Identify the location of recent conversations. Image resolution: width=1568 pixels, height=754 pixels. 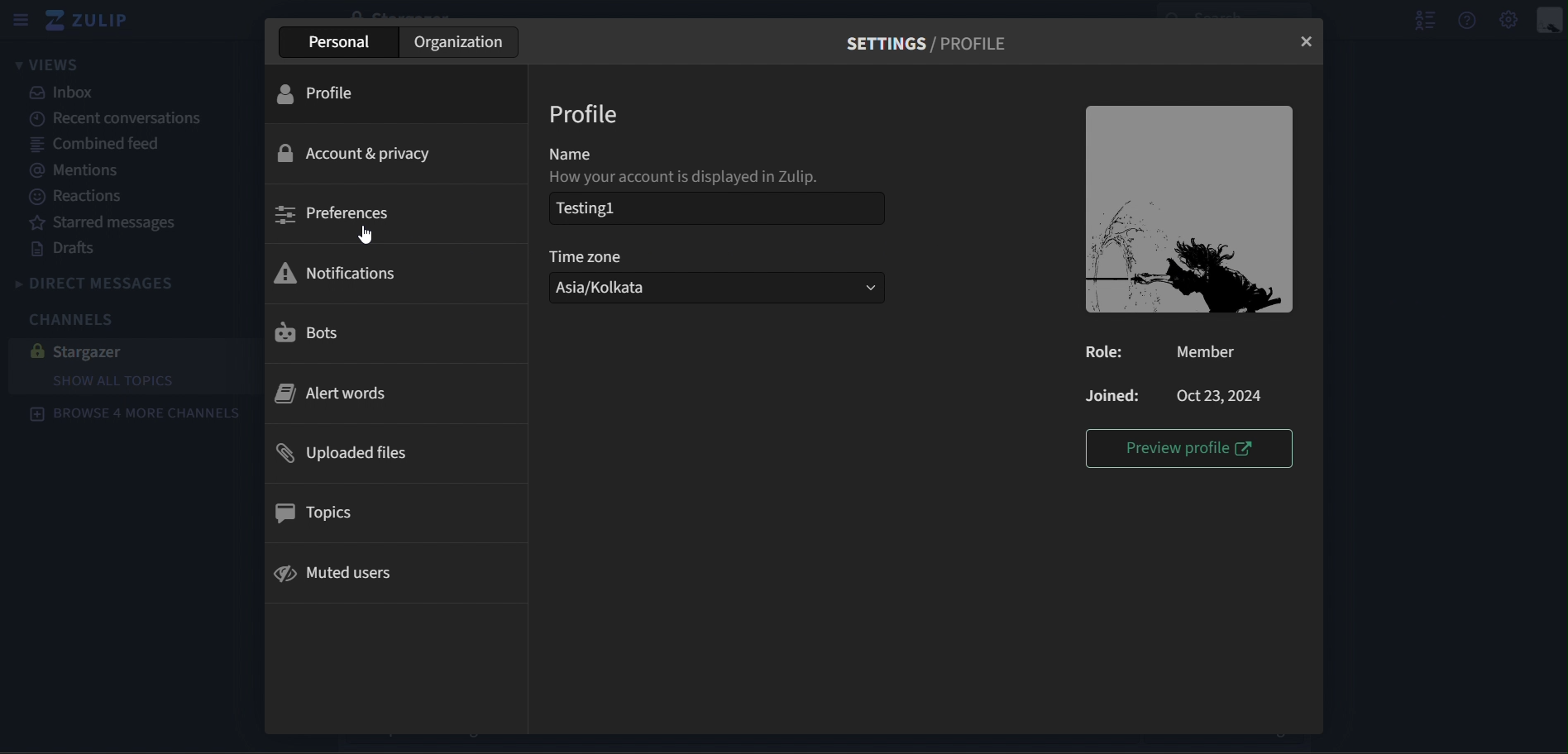
(120, 119).